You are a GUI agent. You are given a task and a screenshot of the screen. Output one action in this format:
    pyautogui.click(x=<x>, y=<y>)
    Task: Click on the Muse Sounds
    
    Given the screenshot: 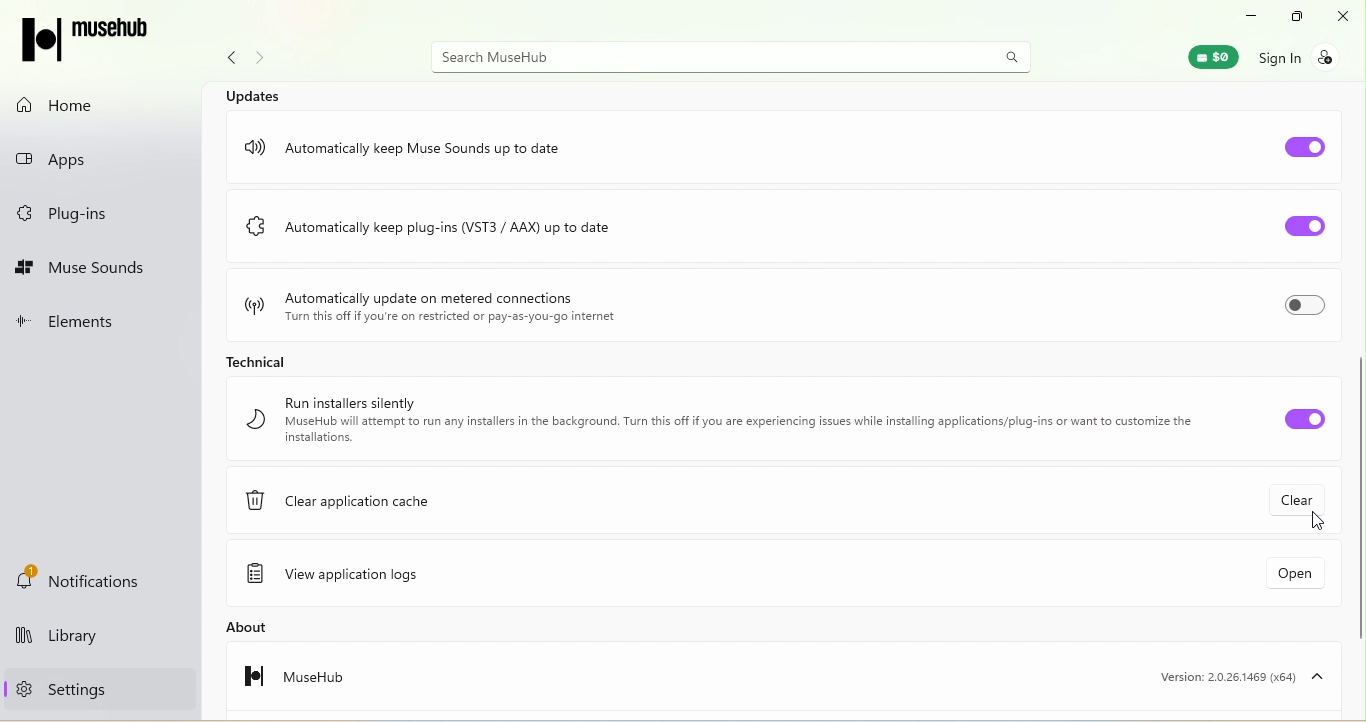 What is the action you would take?
    pyautogui.click(x=83, y=269)
    